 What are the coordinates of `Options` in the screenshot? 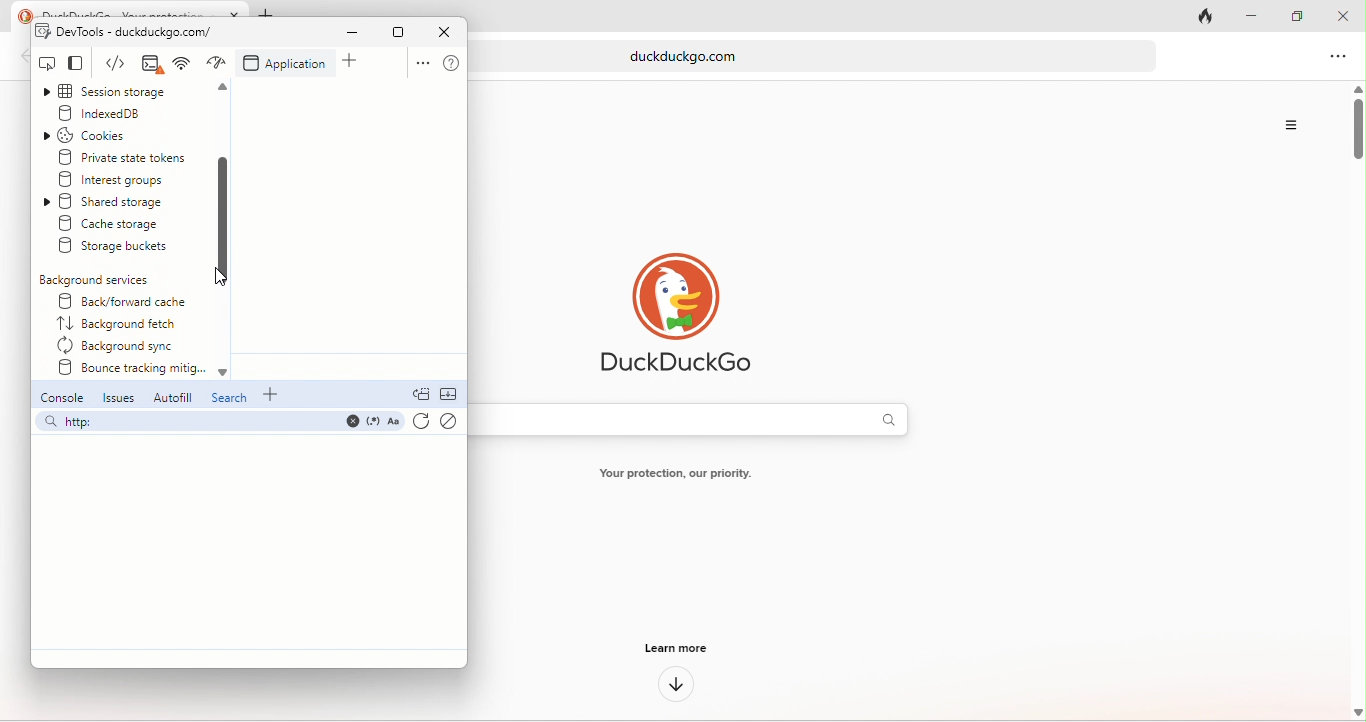 It's located at (1290, 125).